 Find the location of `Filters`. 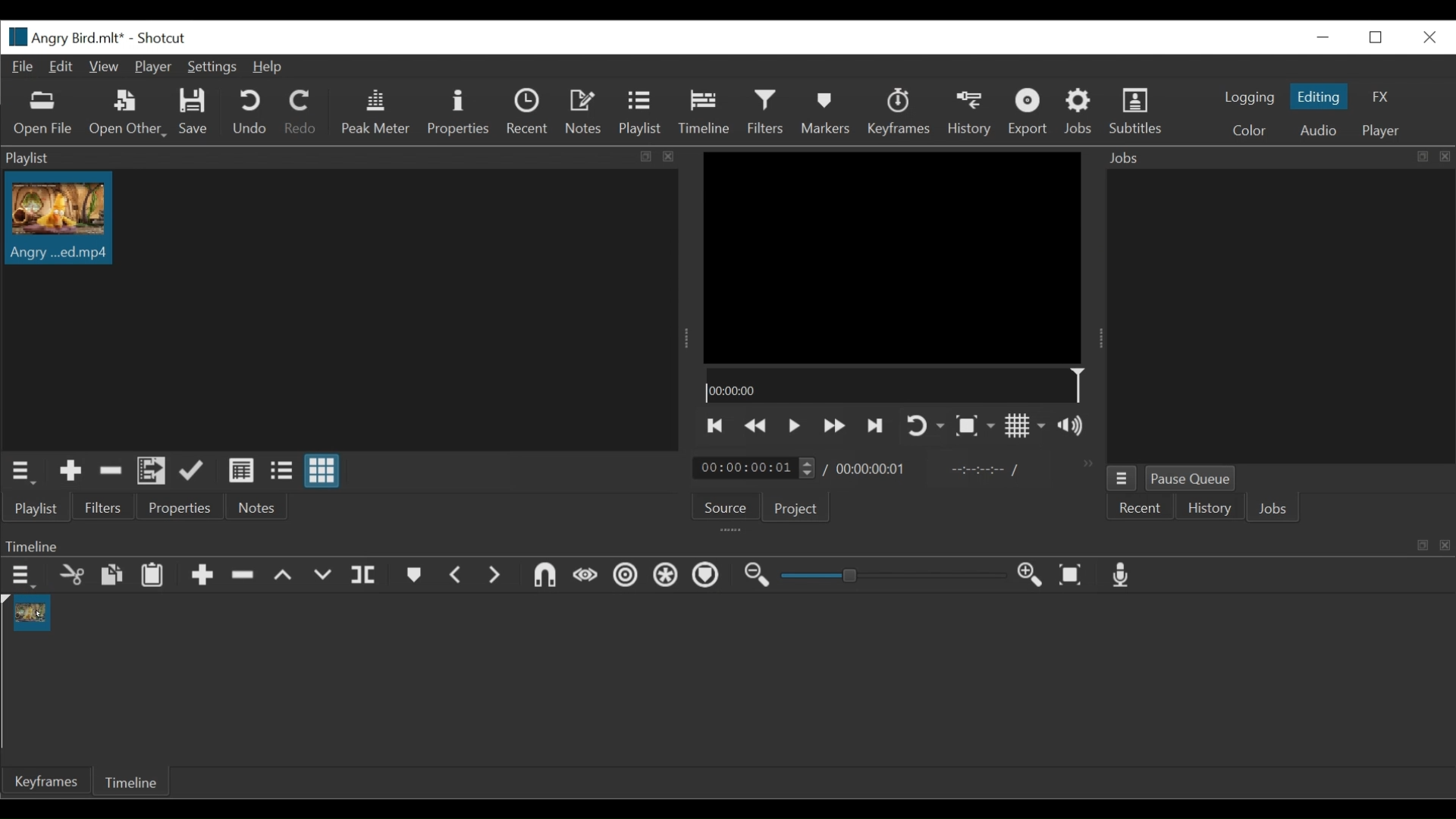

Filters is located at coordinates (106, 507).